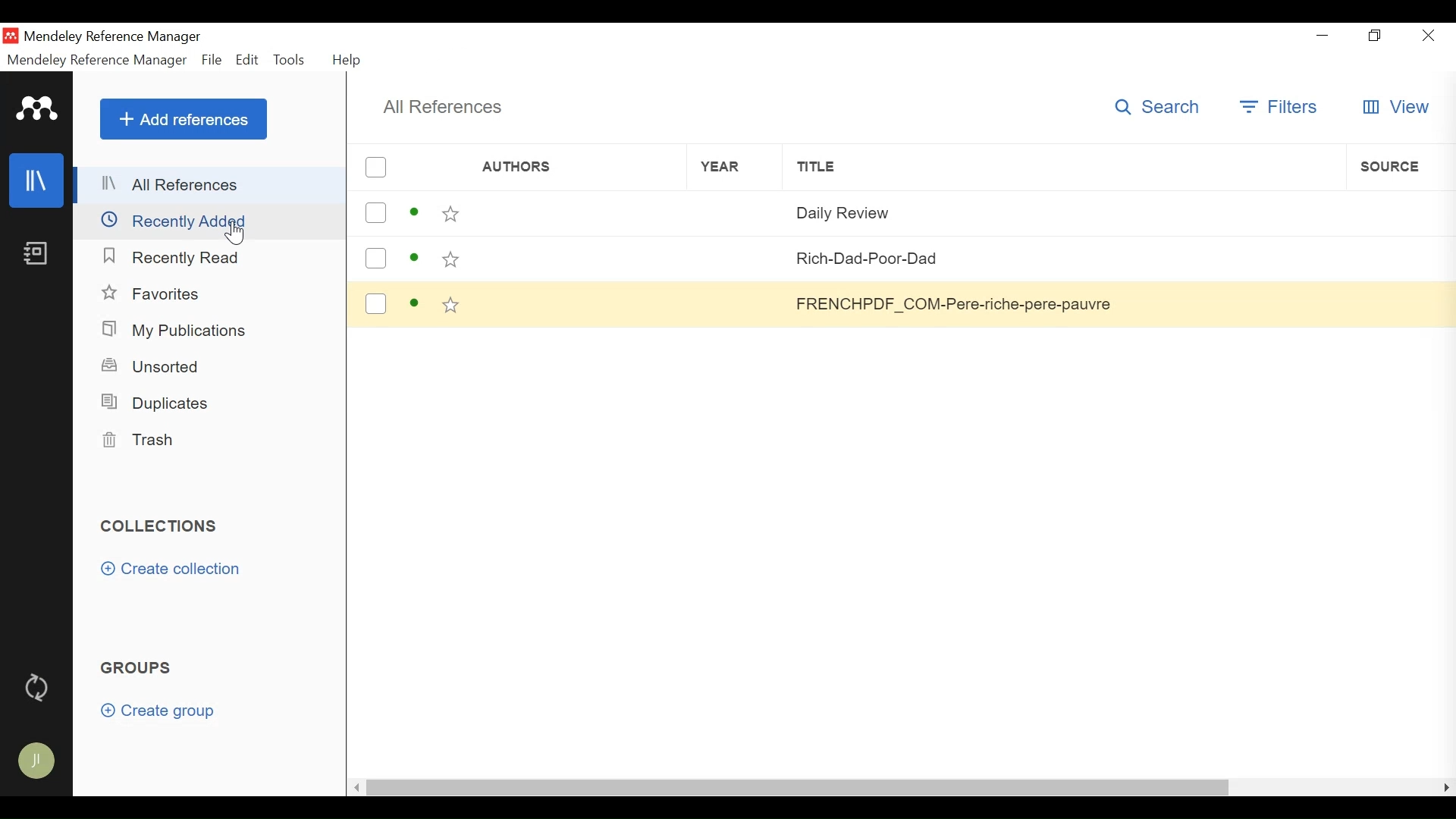 The image size is (1456, 819). What do you see at coordinates (375, 212) in the screenshot?
I see `(un)select ` at bounding box center [375, 212].